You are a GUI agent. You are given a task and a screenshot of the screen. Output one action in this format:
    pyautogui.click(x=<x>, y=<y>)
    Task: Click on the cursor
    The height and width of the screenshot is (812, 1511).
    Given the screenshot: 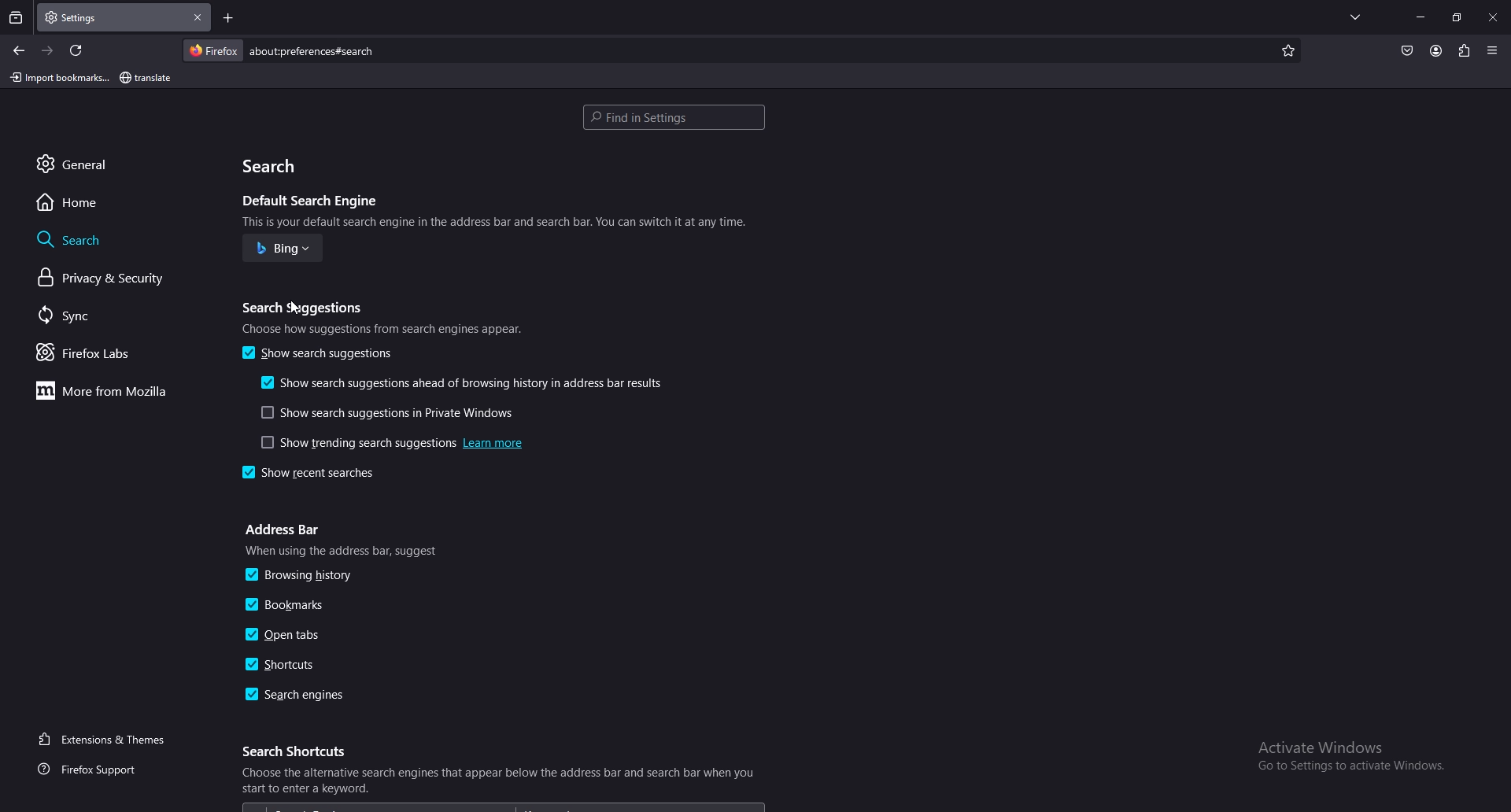 What is the action you would take?
    pyautogui.click(x=296, y=306)
    